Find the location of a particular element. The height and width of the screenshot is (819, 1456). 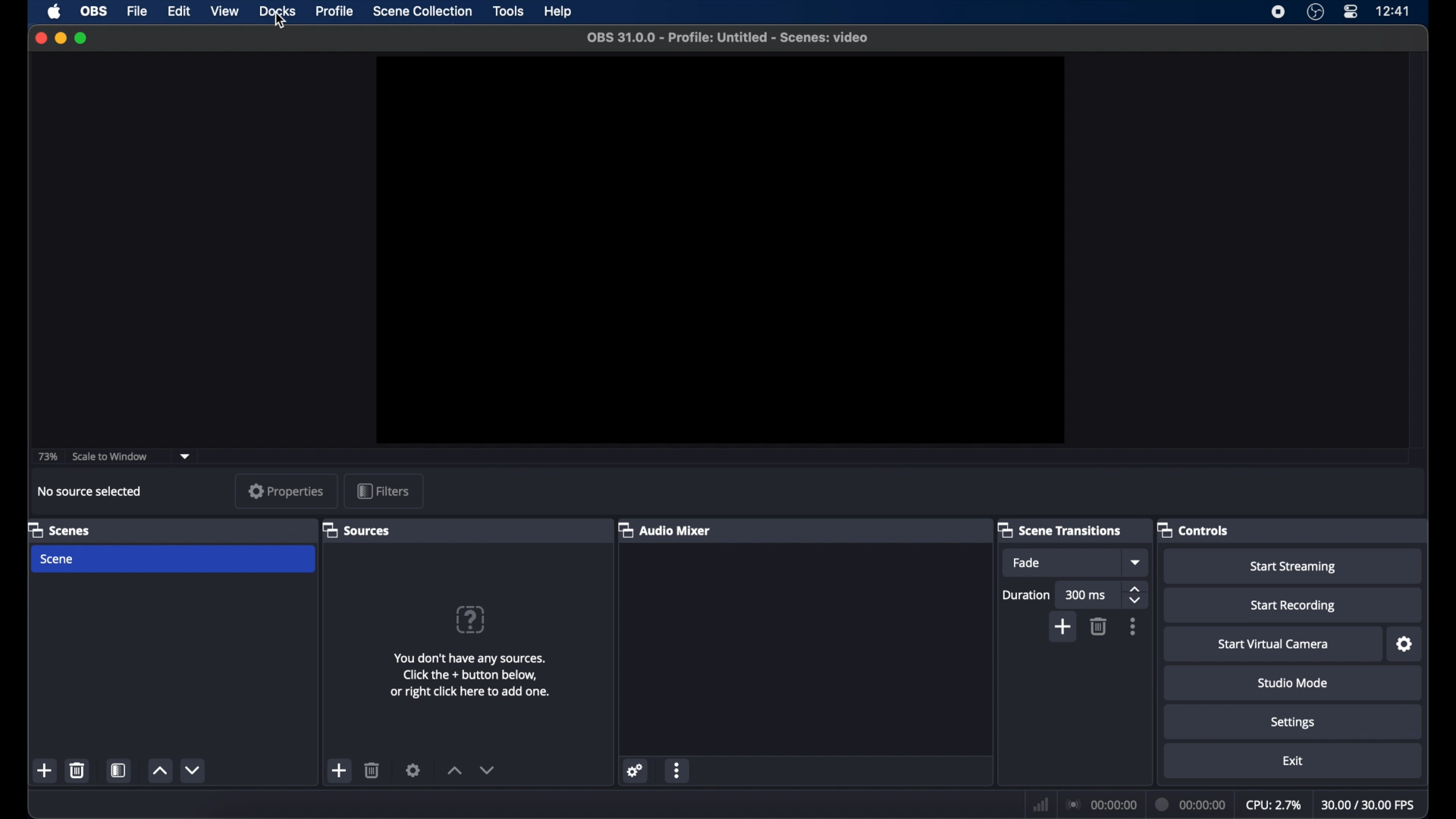

apple icon is located at coordinates (54, 11).